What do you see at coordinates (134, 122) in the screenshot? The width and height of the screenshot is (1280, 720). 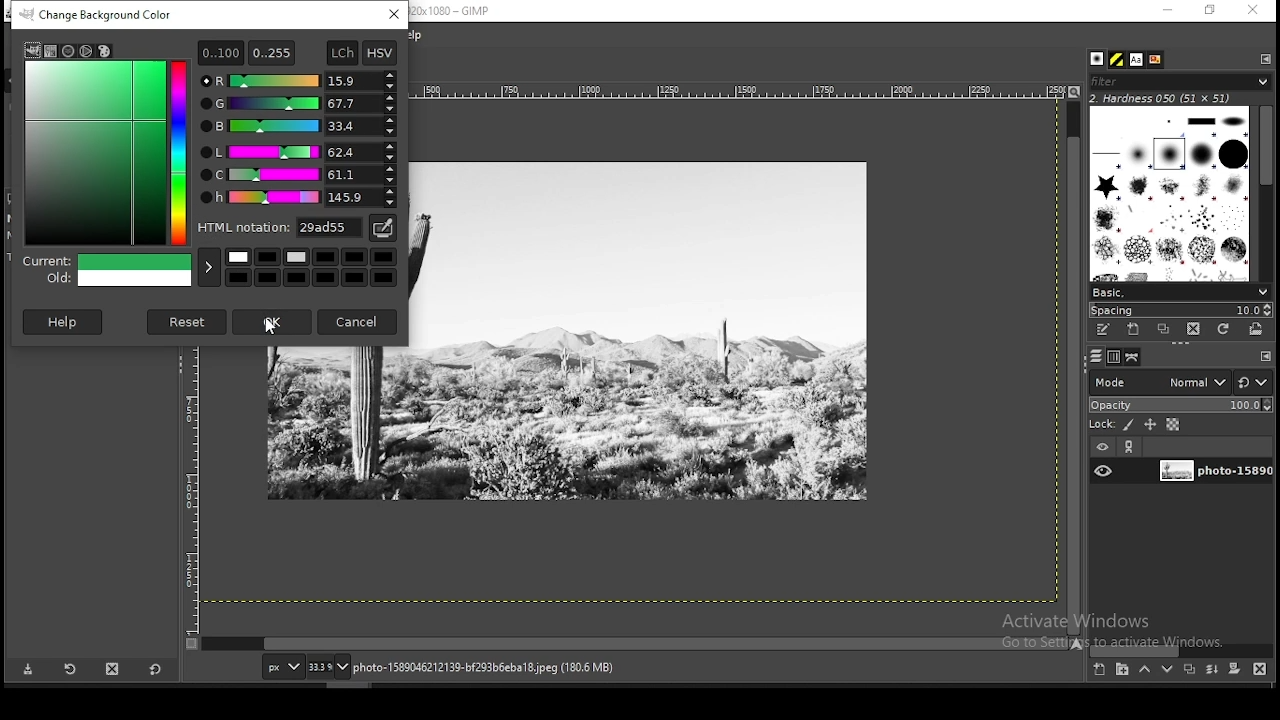 I see `selected coordinates` at bounding box center [134, 122].